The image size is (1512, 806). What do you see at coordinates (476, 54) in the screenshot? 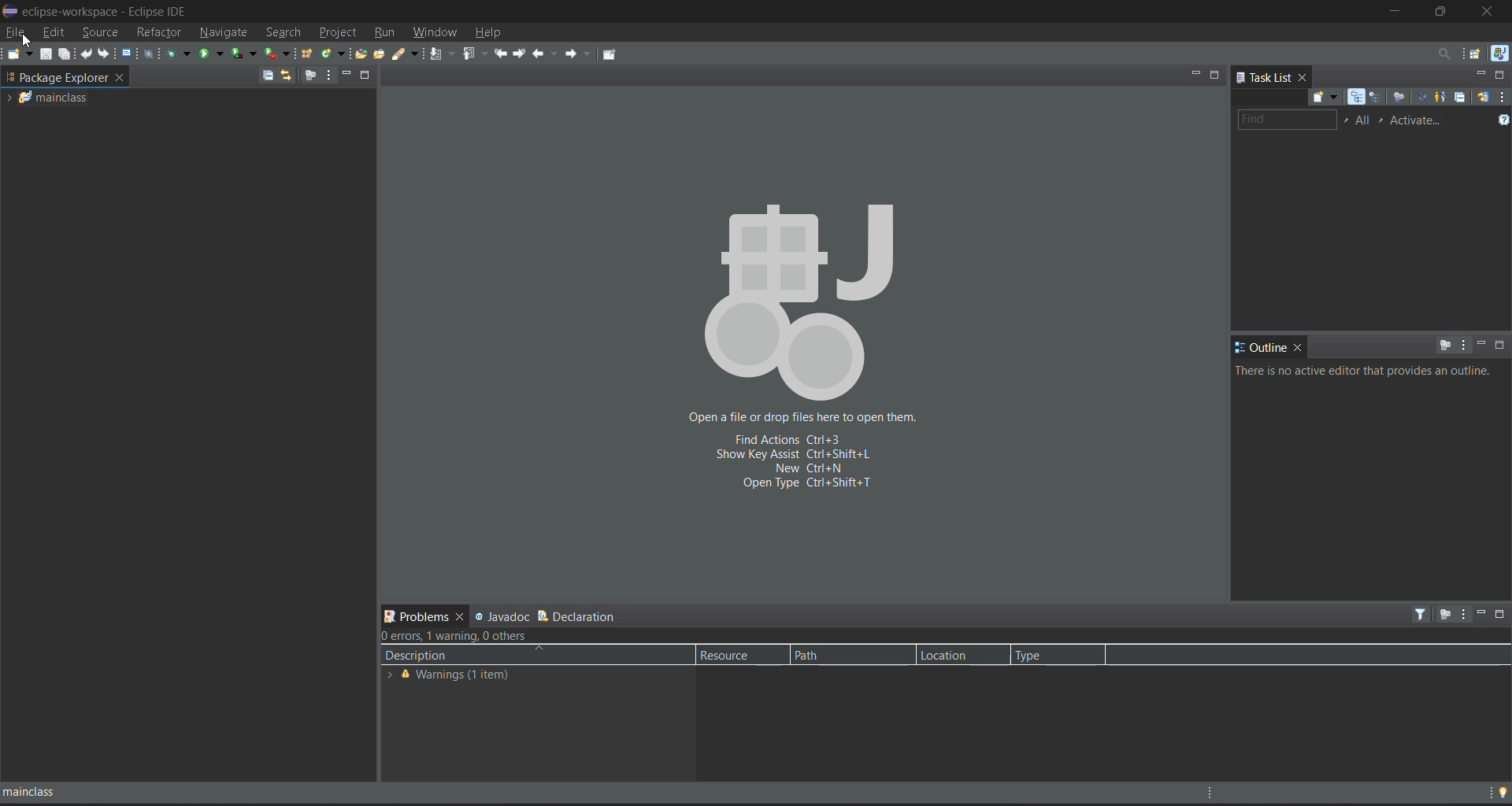
I see `previous annotation` at bounding box center [476, 54].